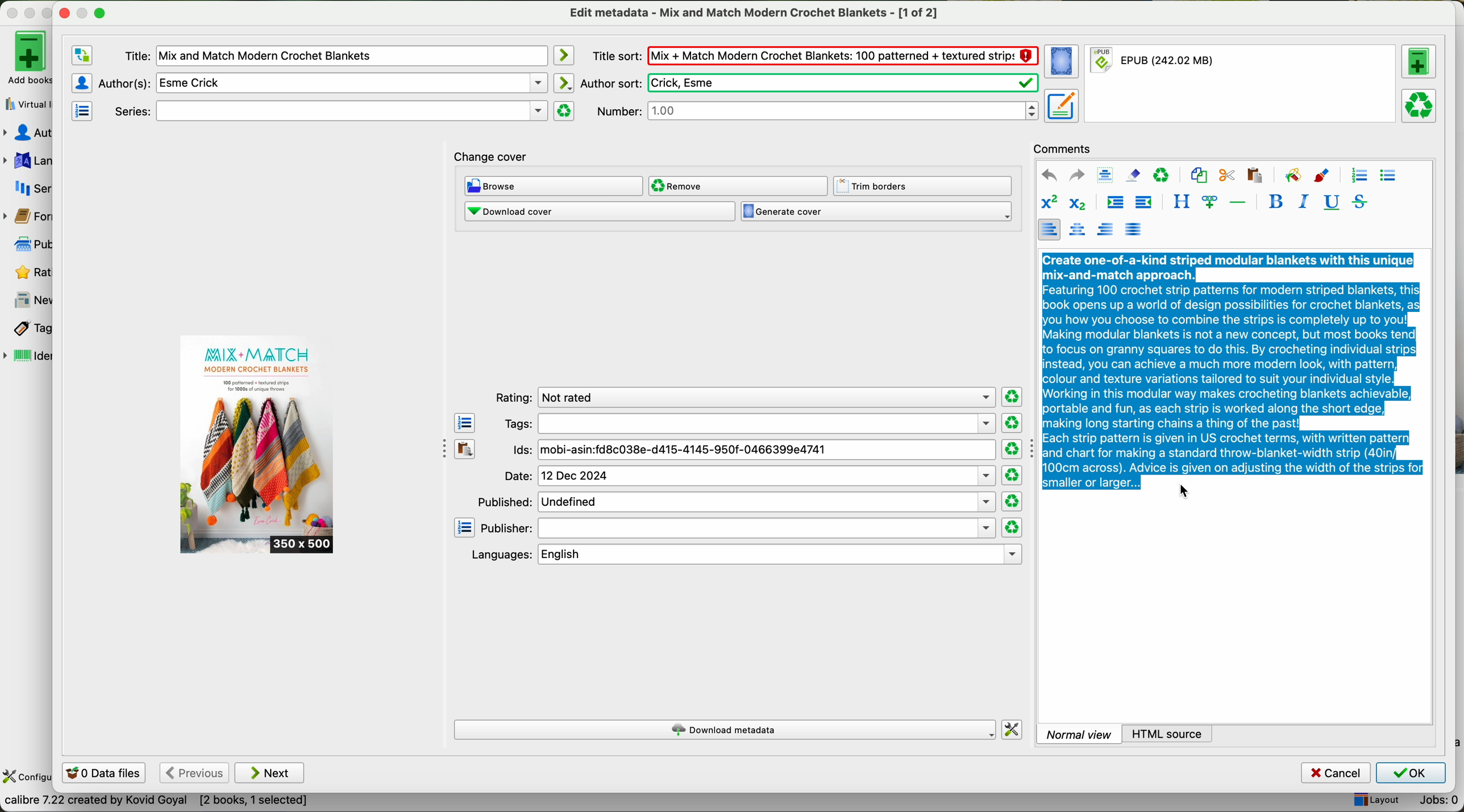  I want to click on background color, so click(1292, 174).